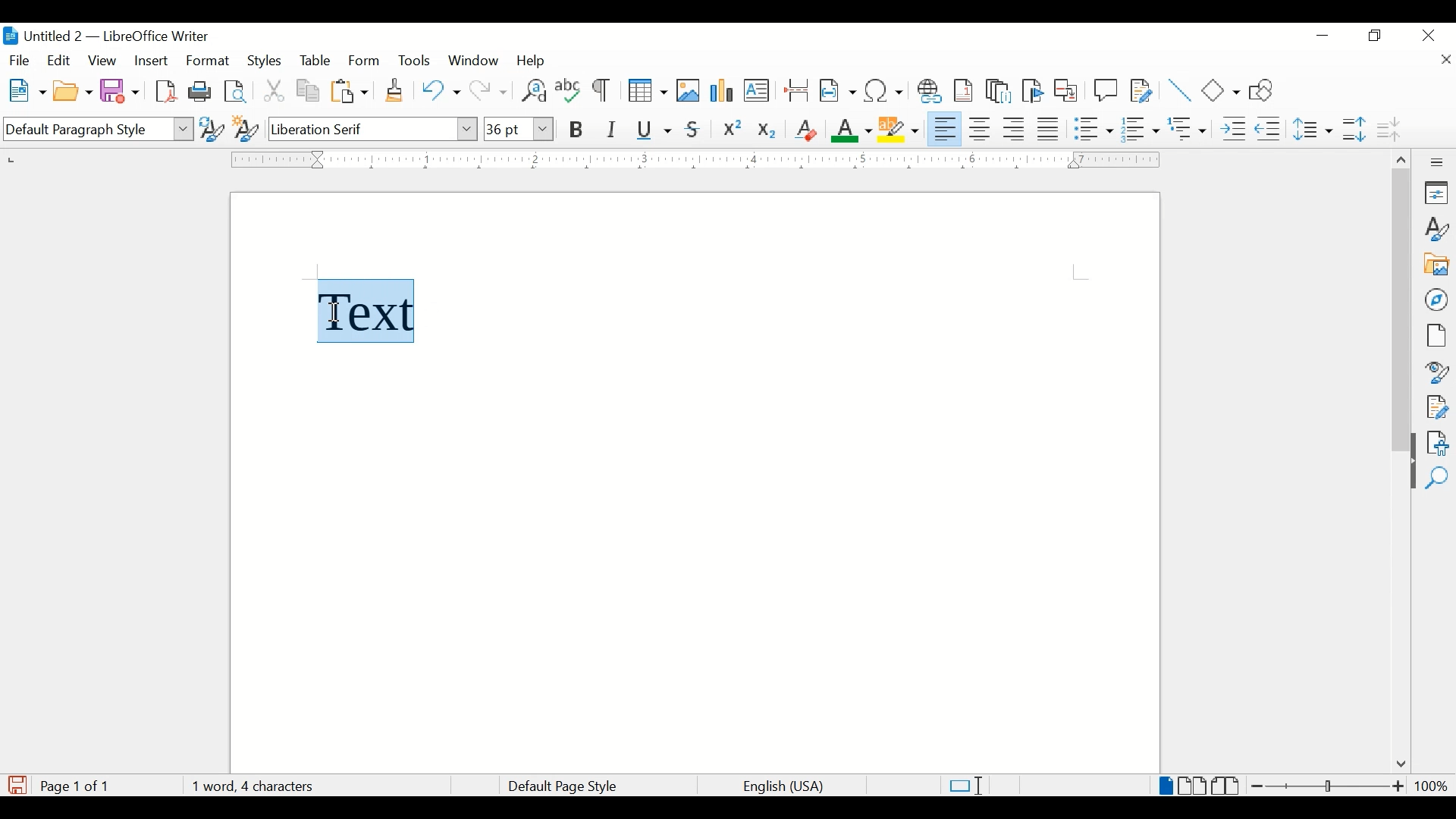 The width and height of the screenshot is (1456, 819). What do you see at coordinates (577, 130) in the screenshot?
I see `bold` at bounding box center [577, 130].